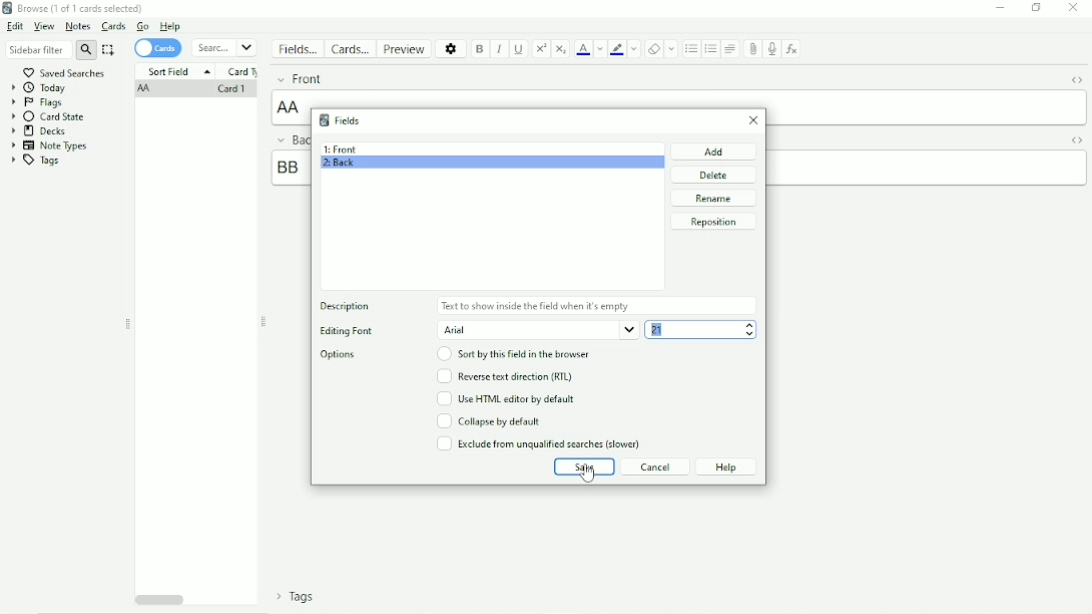  What do you see at coordinates (146, 90) in the screenshot?
I see `AA` at bounding box center [146, 90].